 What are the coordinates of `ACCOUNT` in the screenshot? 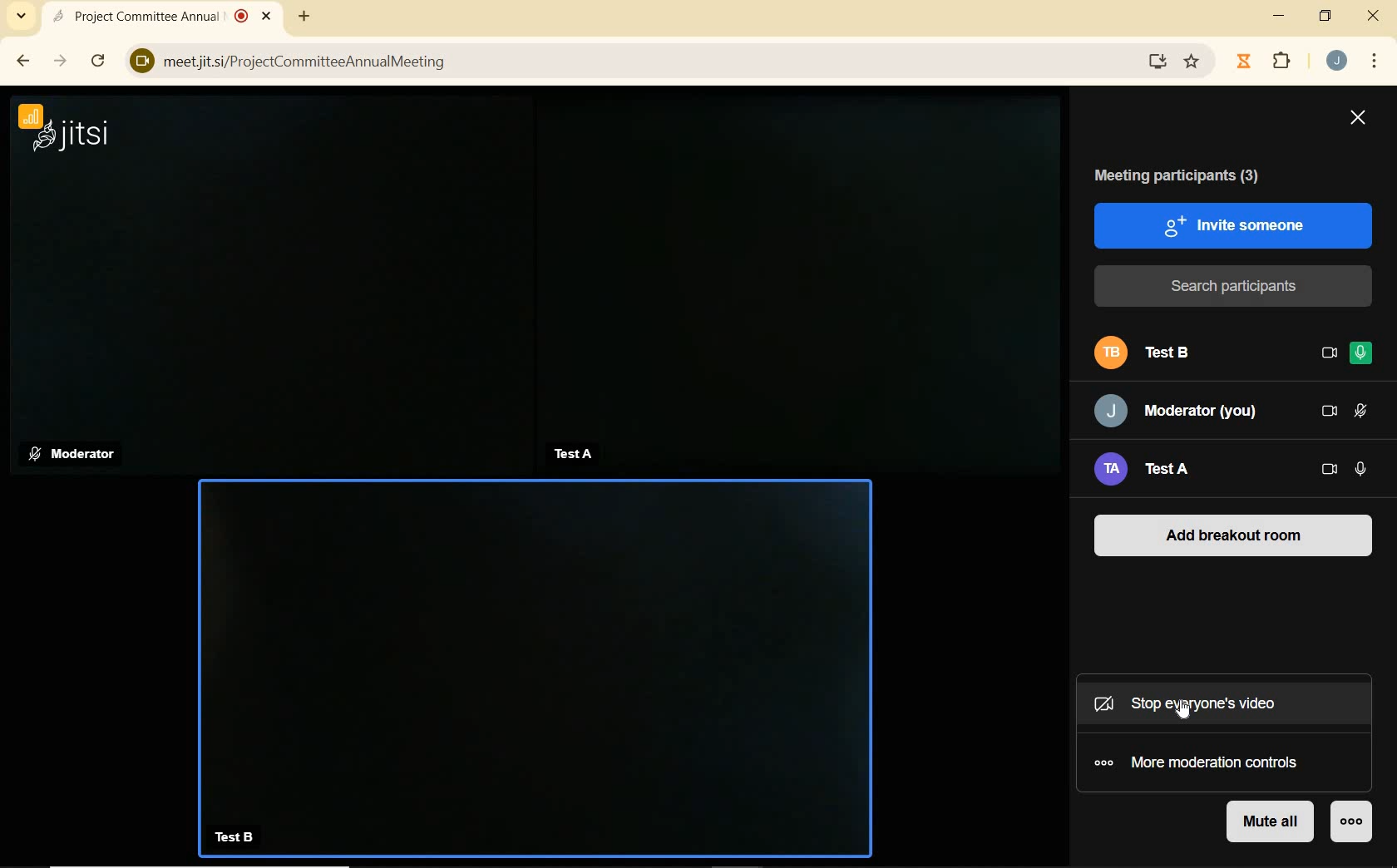 It's located at (1337, 62).